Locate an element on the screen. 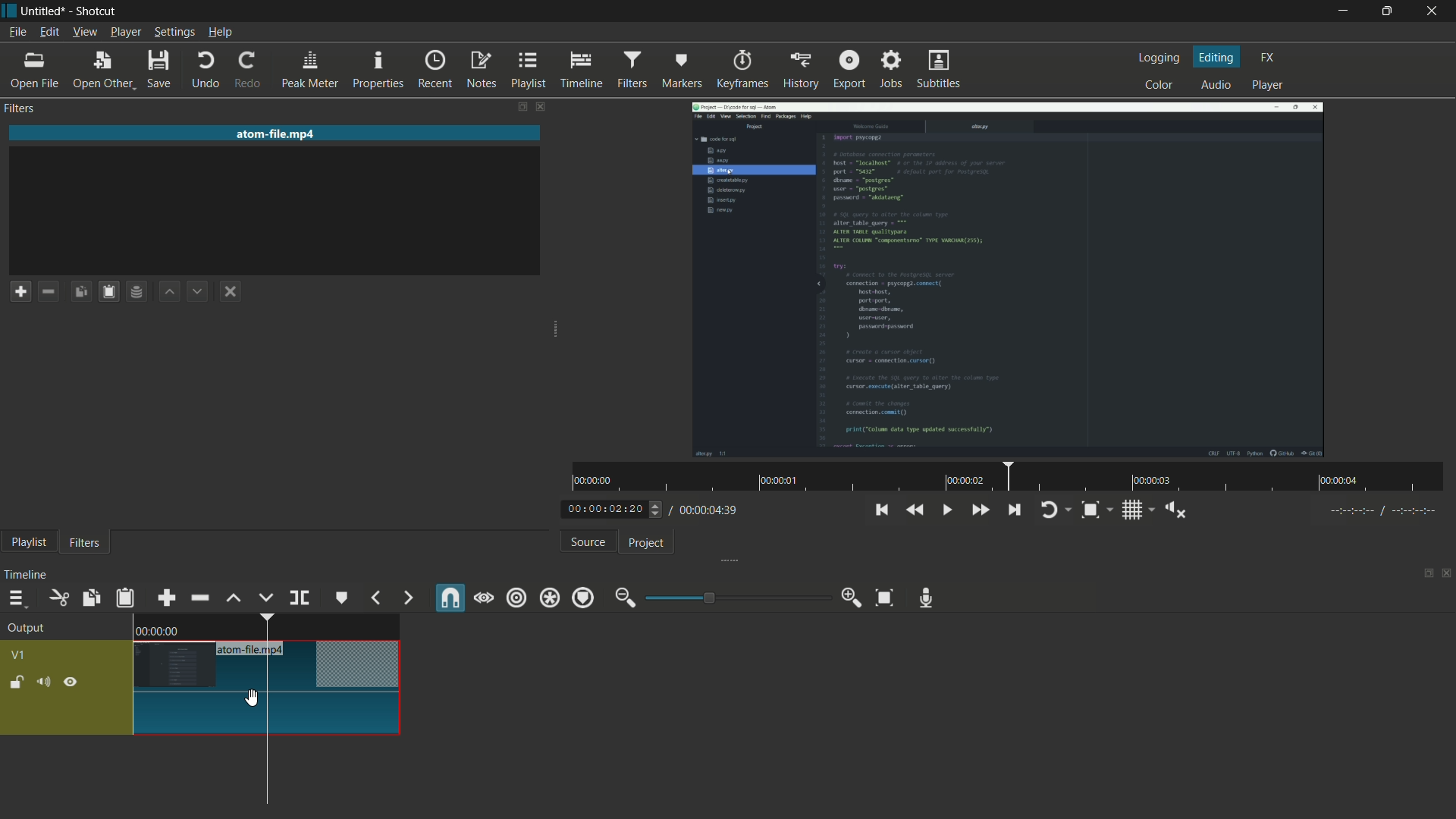 The height and width of the screenshot is (819, 1456). keyframes is located at coordinates (743, 68).